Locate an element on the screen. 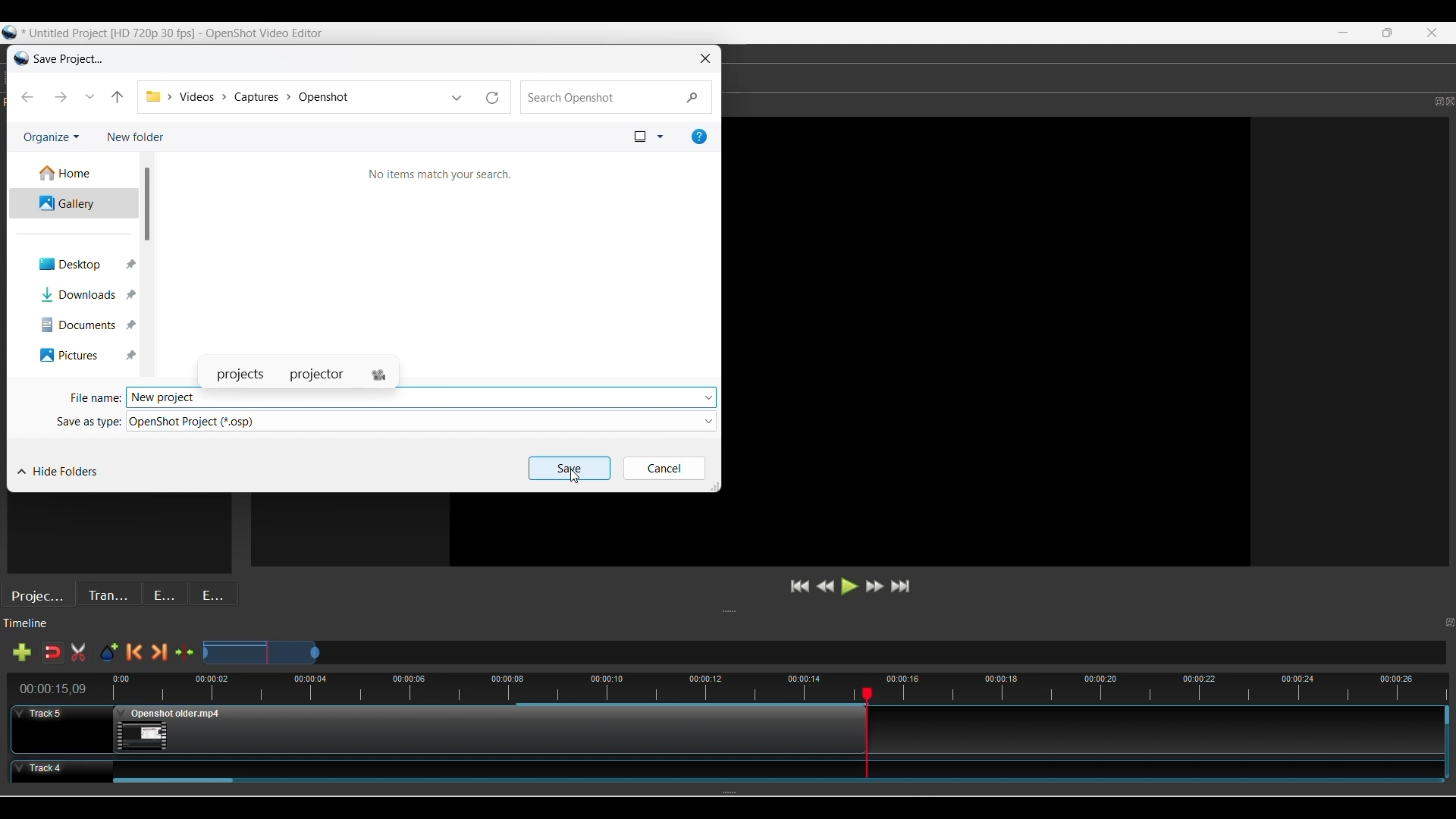  Forward is located at coordinates (60, 96).